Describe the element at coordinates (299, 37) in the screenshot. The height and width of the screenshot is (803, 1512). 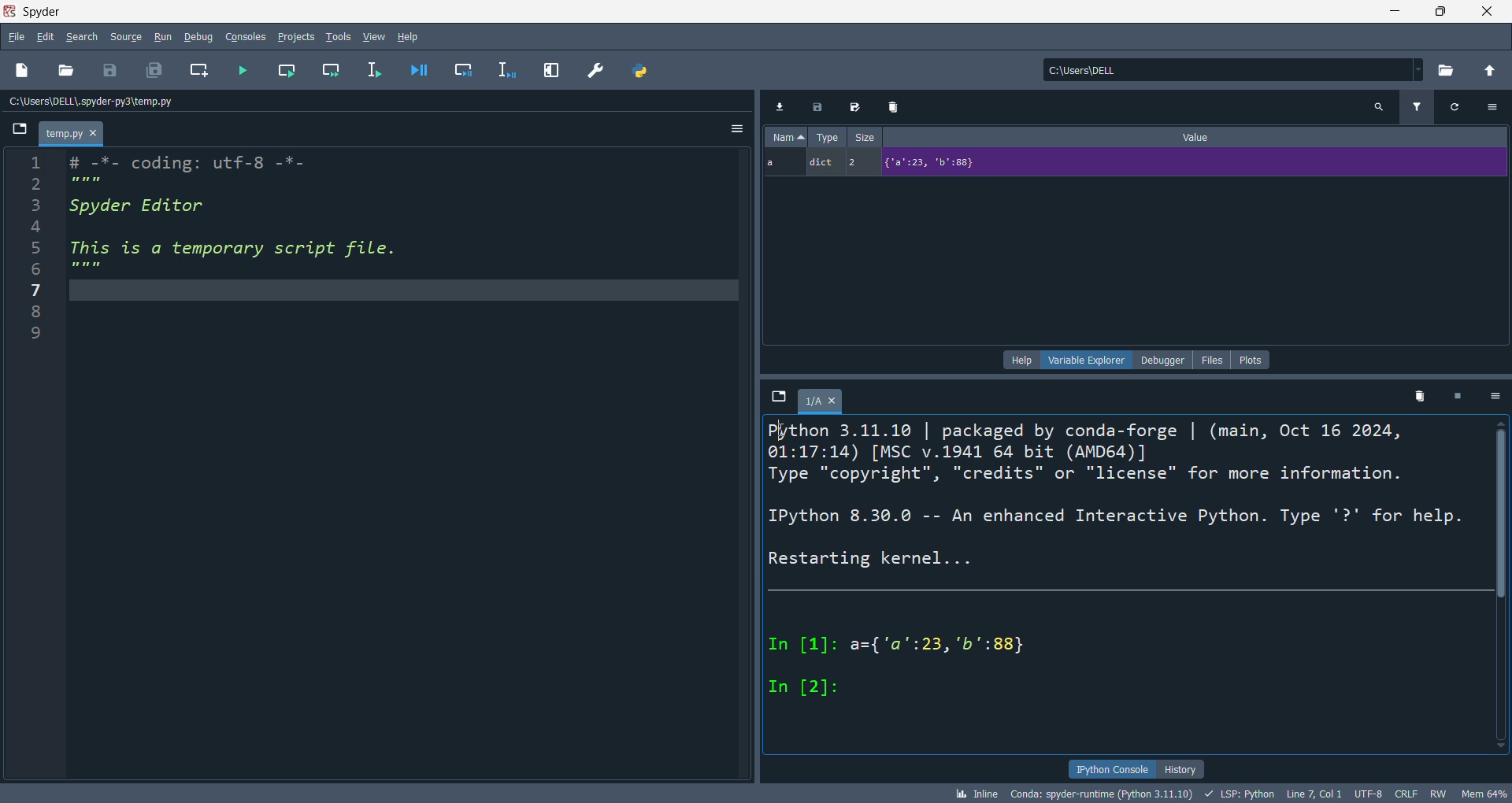
I see `projects` at that location.